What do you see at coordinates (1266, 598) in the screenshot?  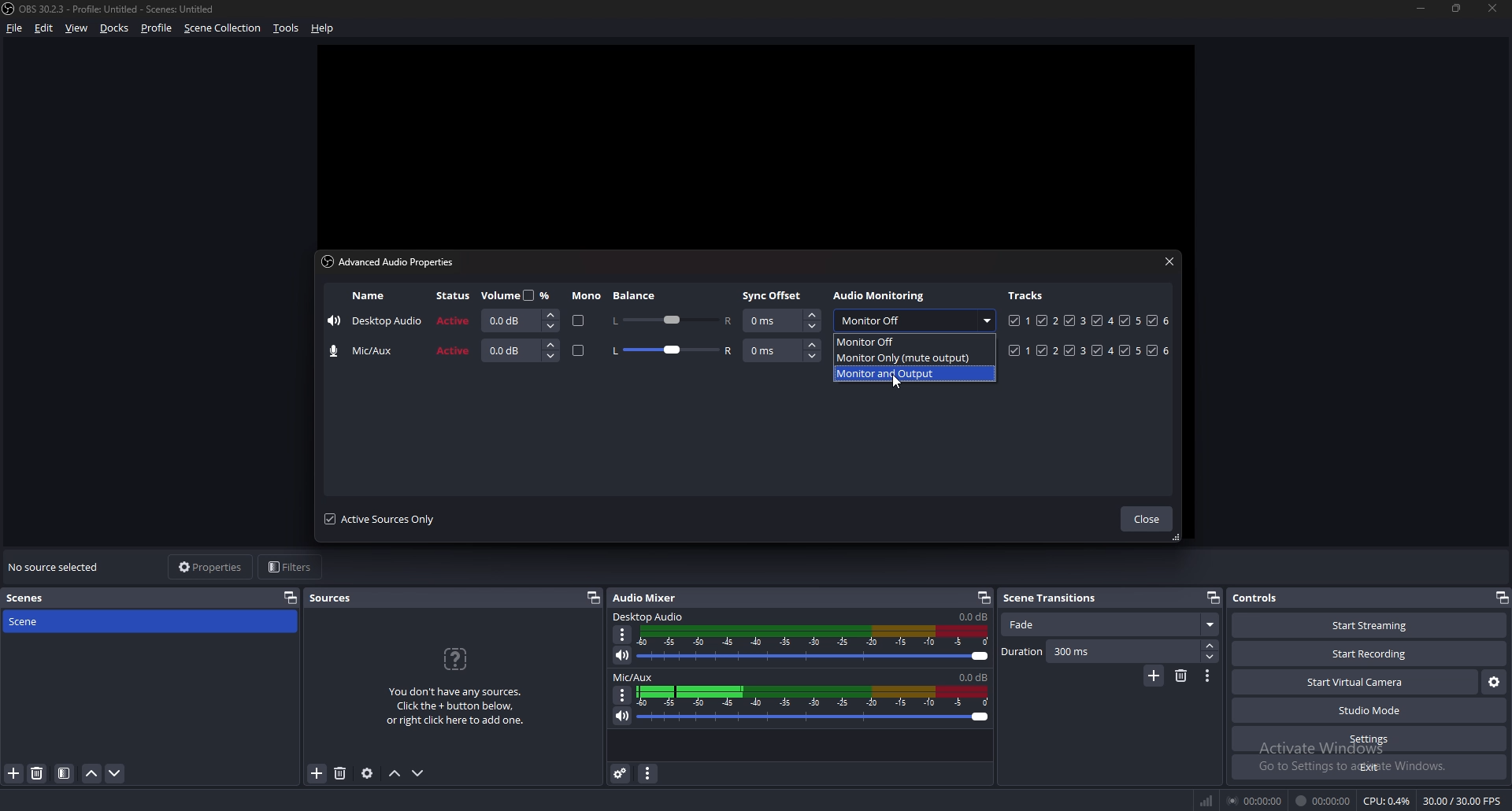 I see `controls` at bounding box center [1266, 598].